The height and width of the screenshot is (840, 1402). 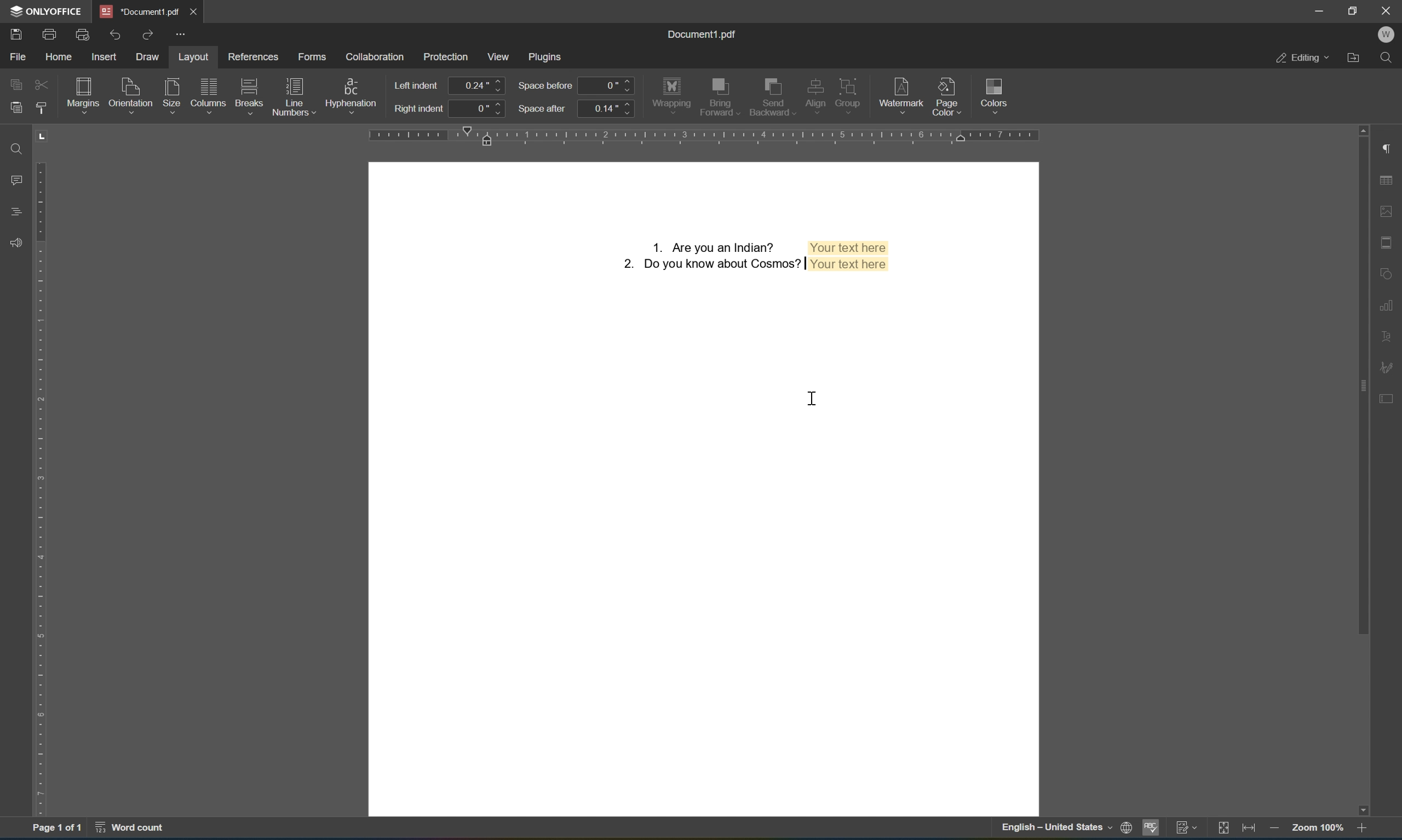 I want to click on right indent, so click(x=420, y=109).